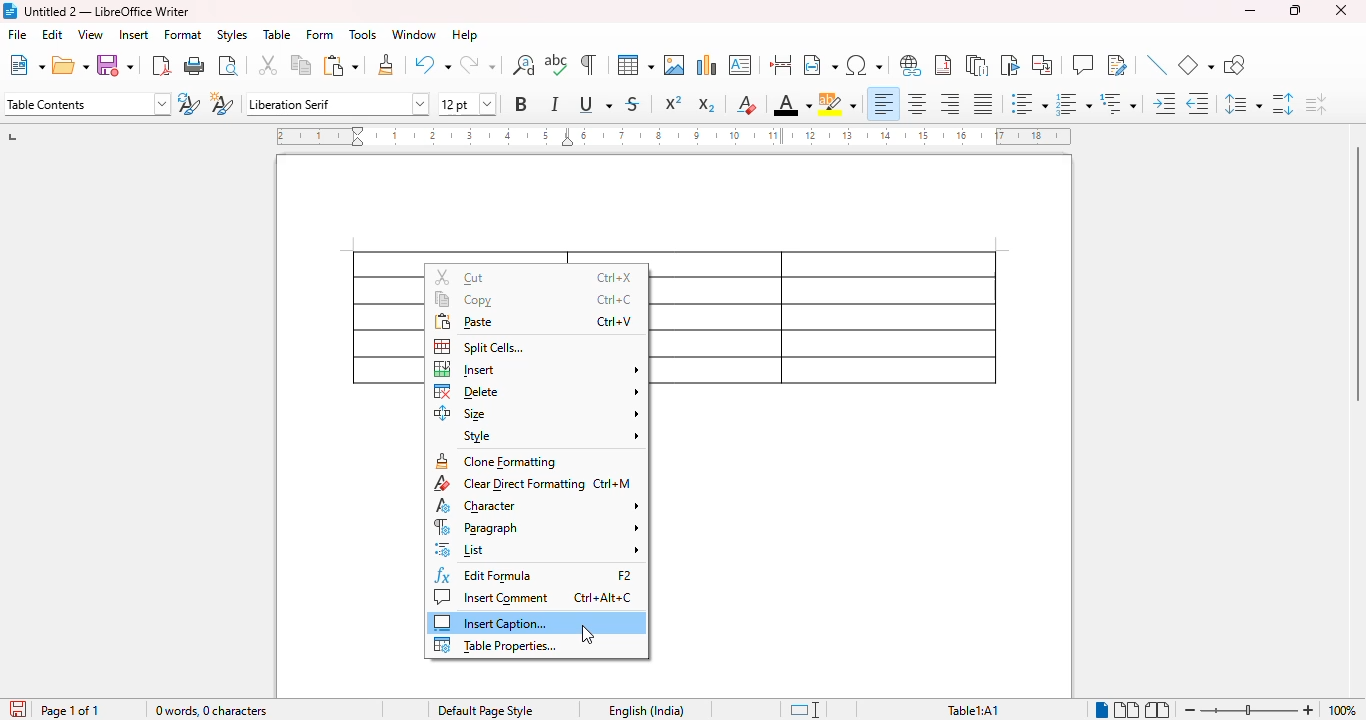 This screenshot has height=720, width=1366. I want to click on zoom out, so click(1190, 711).